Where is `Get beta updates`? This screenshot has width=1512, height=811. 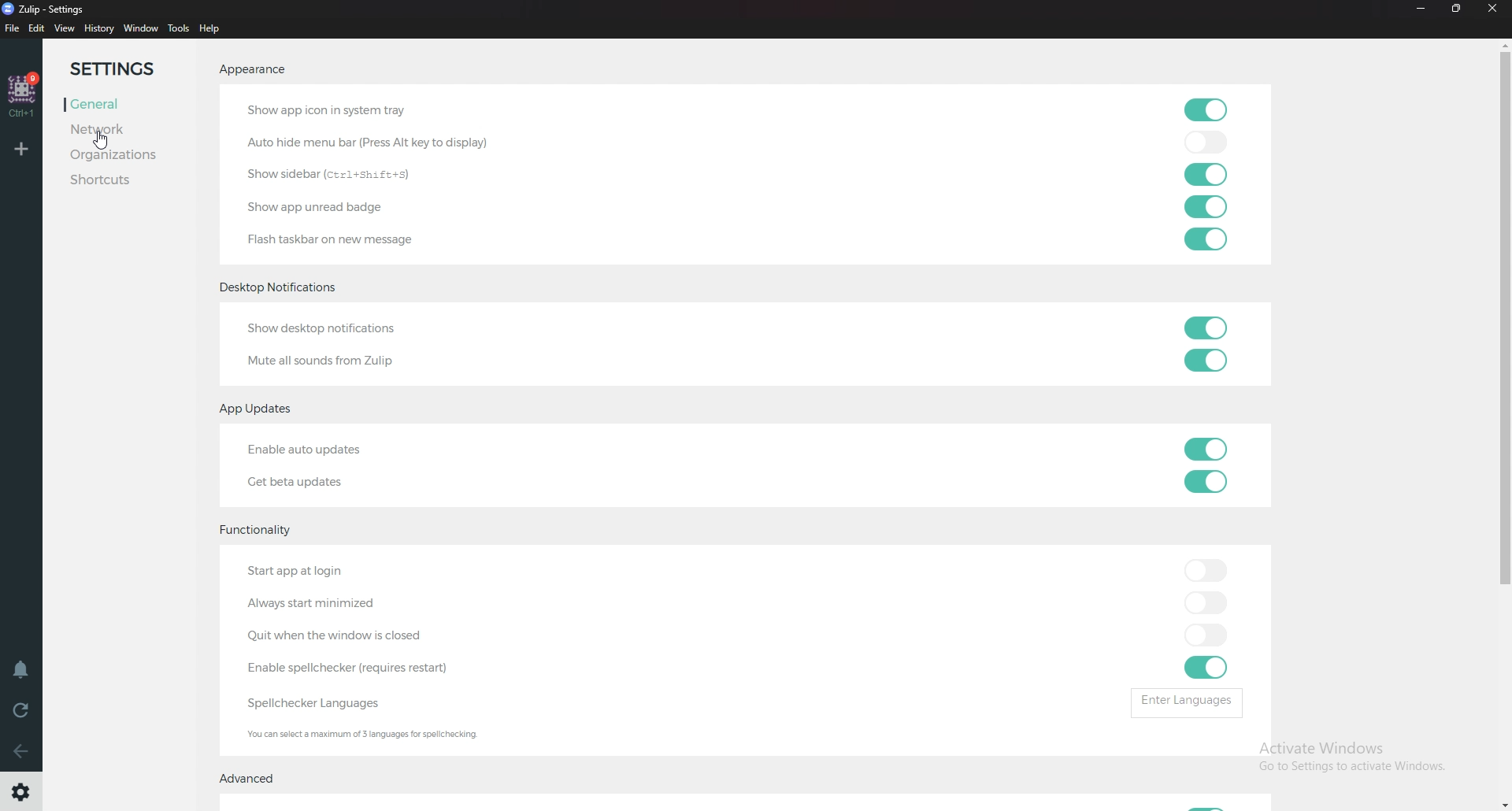 Get beta updates is located at coordinates (309, 482).